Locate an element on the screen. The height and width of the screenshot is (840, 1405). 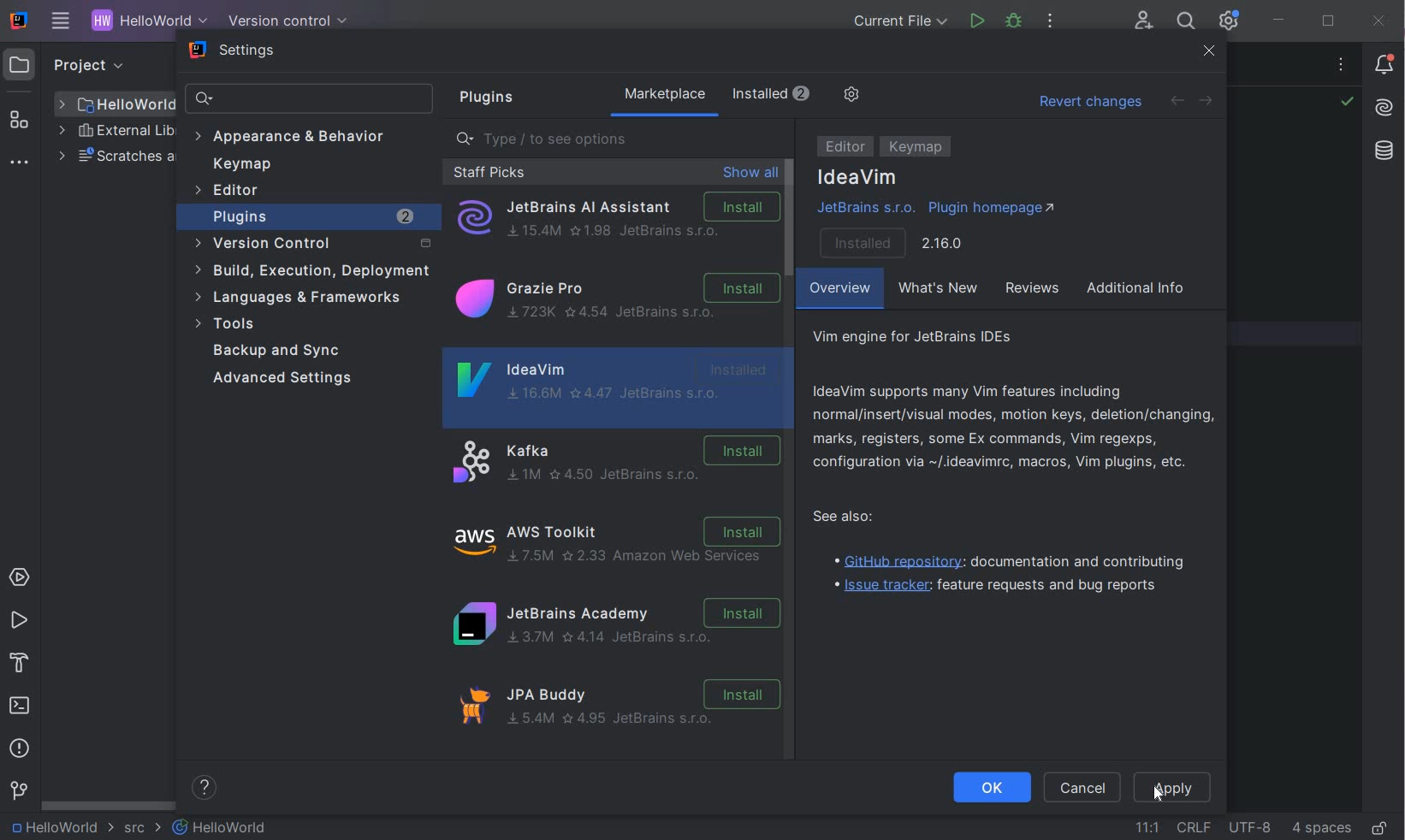
IdeaVim is located at coordinates (858, 178).